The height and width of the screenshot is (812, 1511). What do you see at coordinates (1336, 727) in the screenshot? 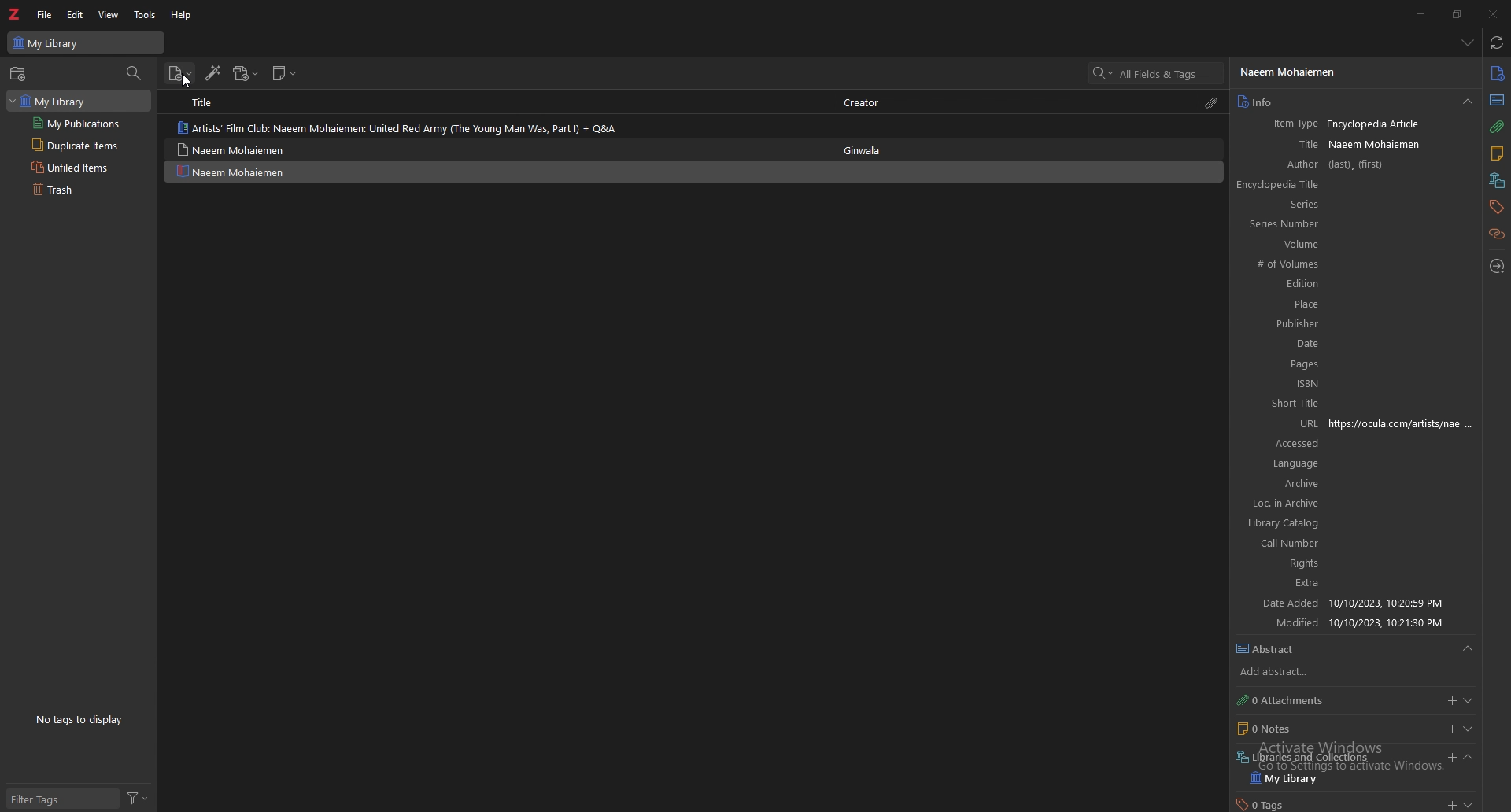
I see `notes` at bounding box center [1336, 727].